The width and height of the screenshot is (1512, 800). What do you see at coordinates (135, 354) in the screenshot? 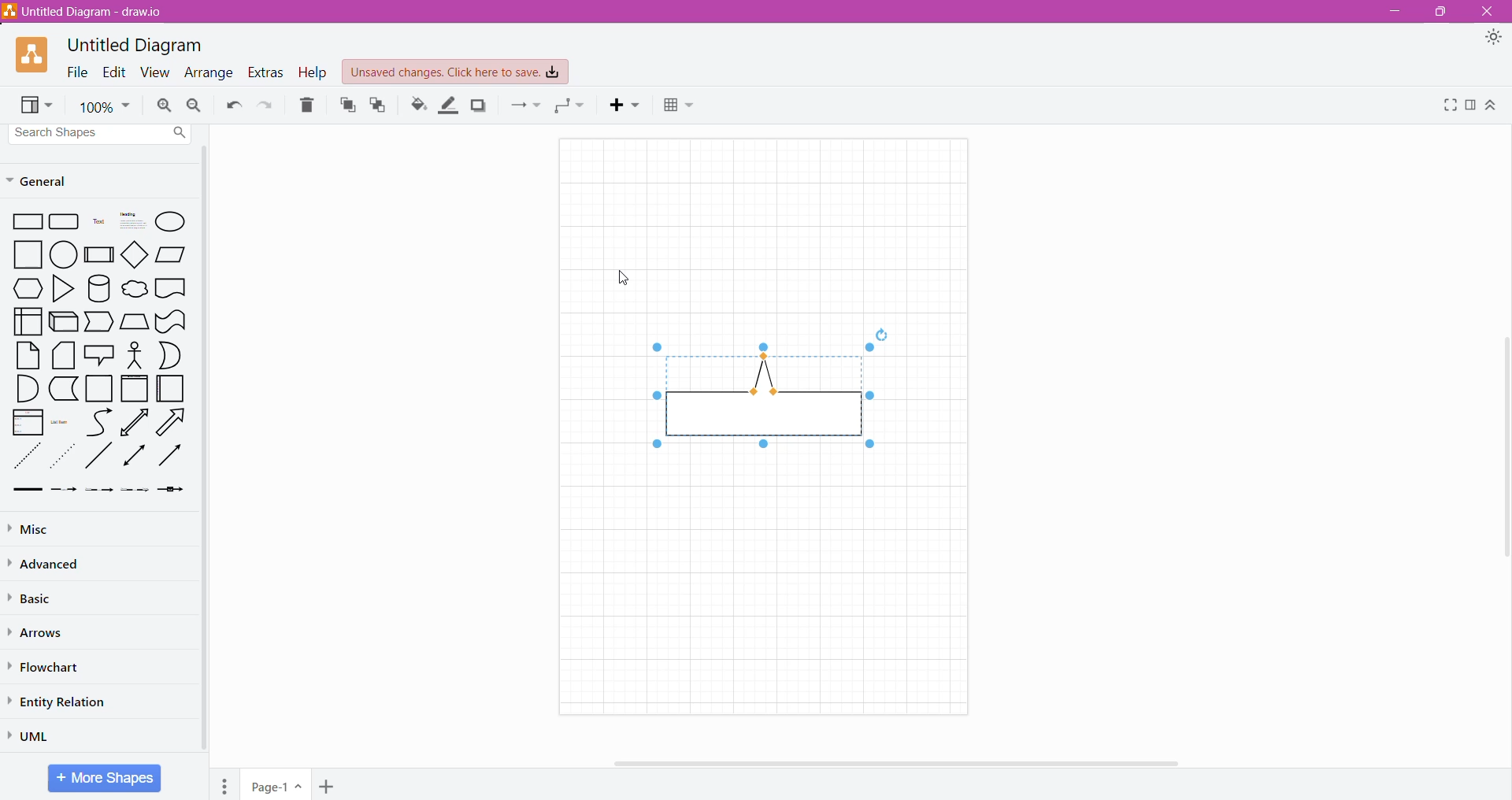
I see `Stick Figure` at bounding box center [135, 354].